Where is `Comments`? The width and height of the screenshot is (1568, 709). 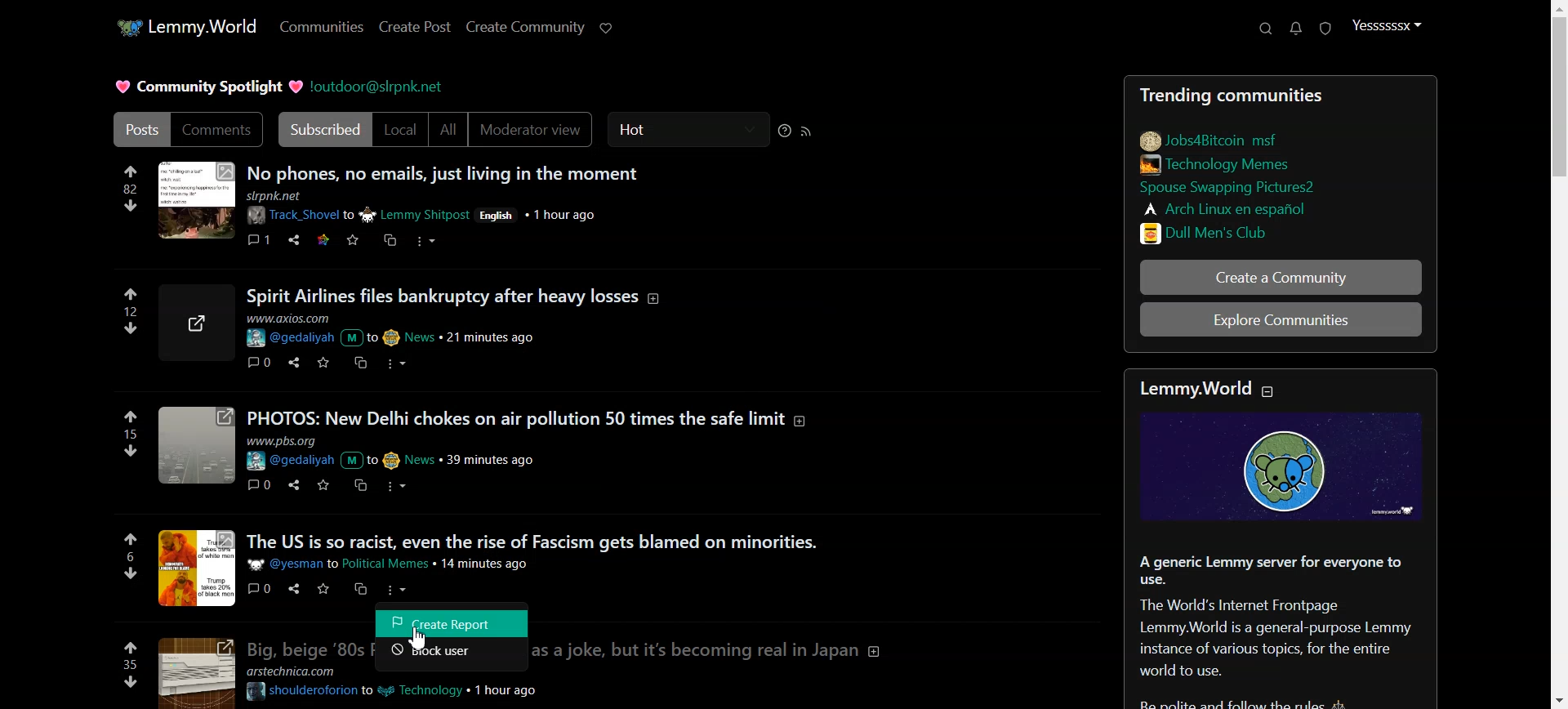 Comments is located at coordinates (217, 130).